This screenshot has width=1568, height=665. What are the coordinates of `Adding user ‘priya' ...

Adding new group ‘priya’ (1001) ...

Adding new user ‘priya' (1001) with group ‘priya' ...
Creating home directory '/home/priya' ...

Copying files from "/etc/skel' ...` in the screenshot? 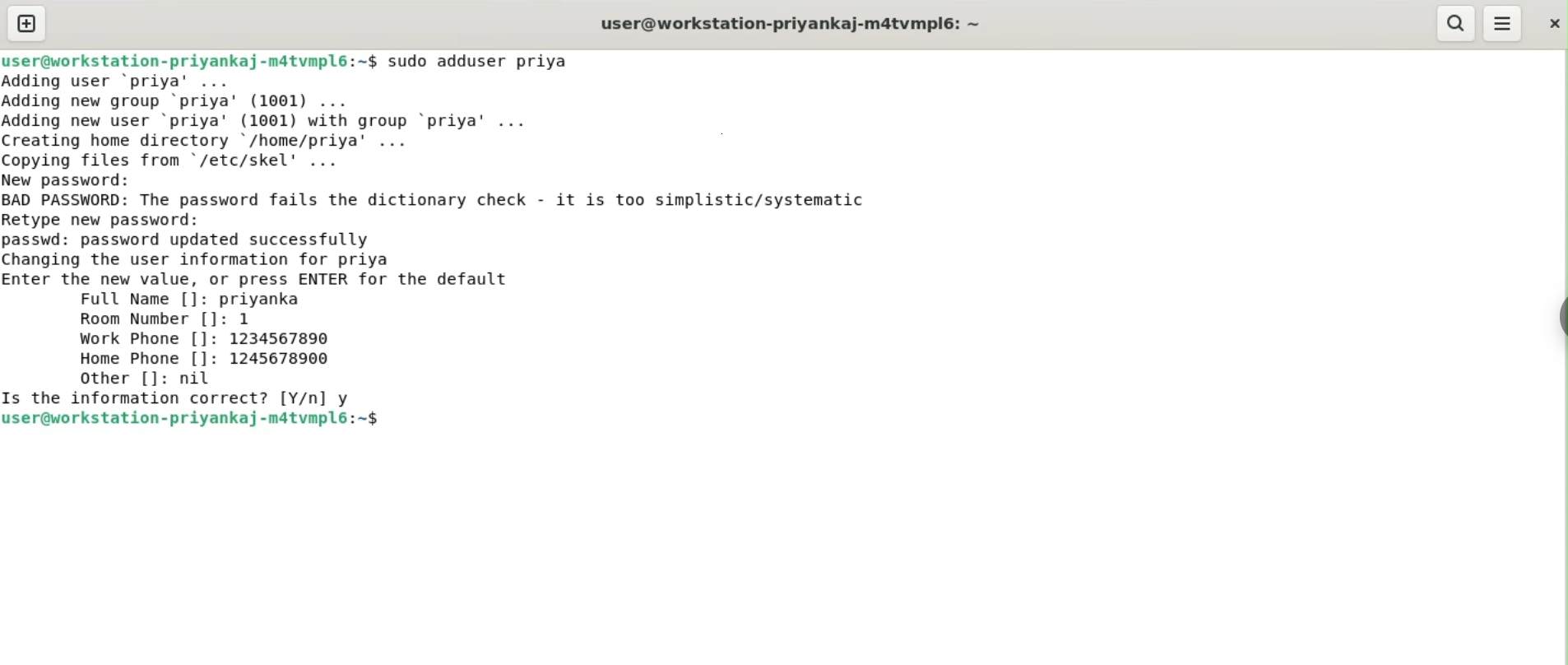 It's located at (274, 121).